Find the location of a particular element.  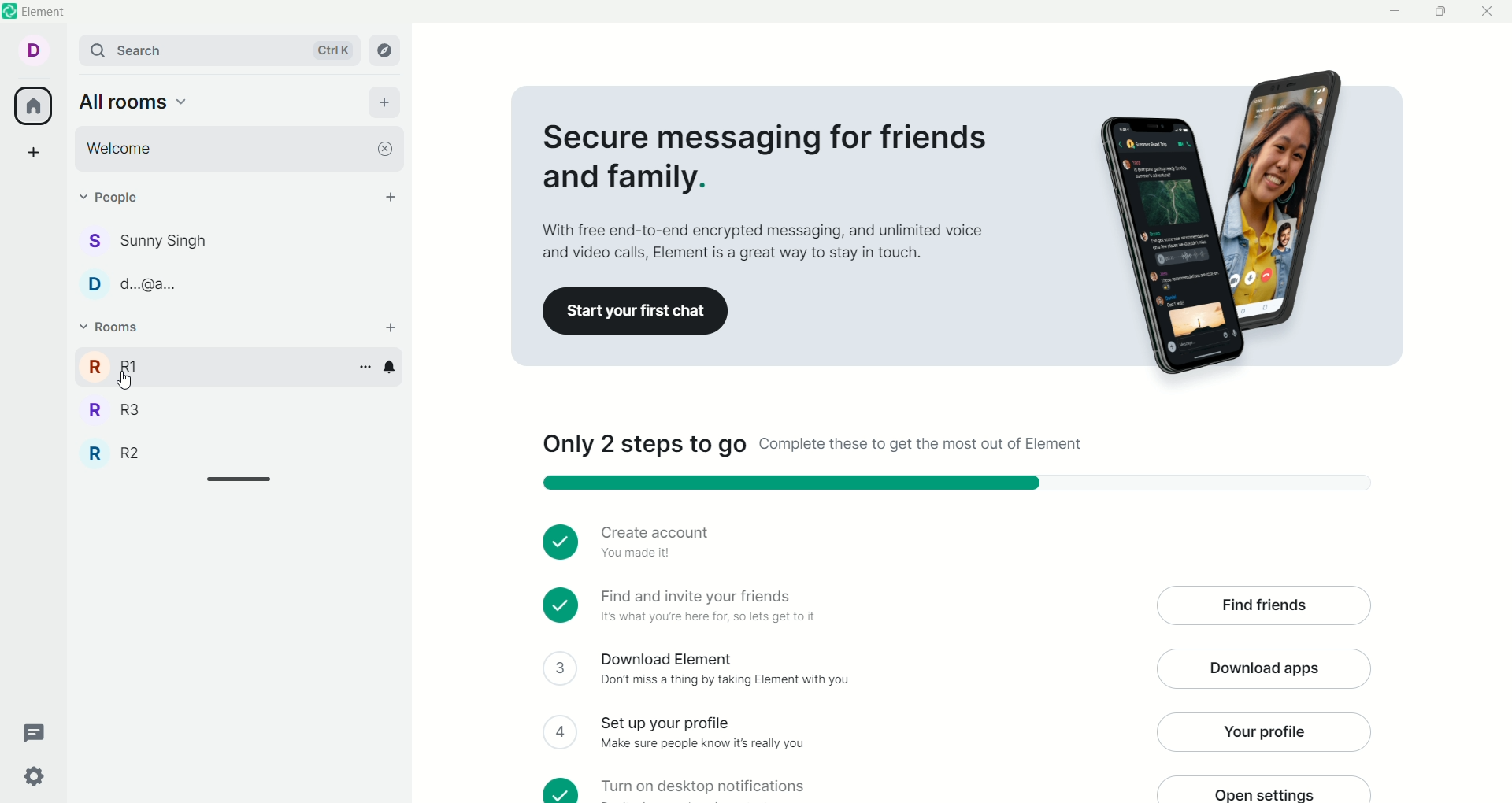

threads is located at coordinates (35, 734).